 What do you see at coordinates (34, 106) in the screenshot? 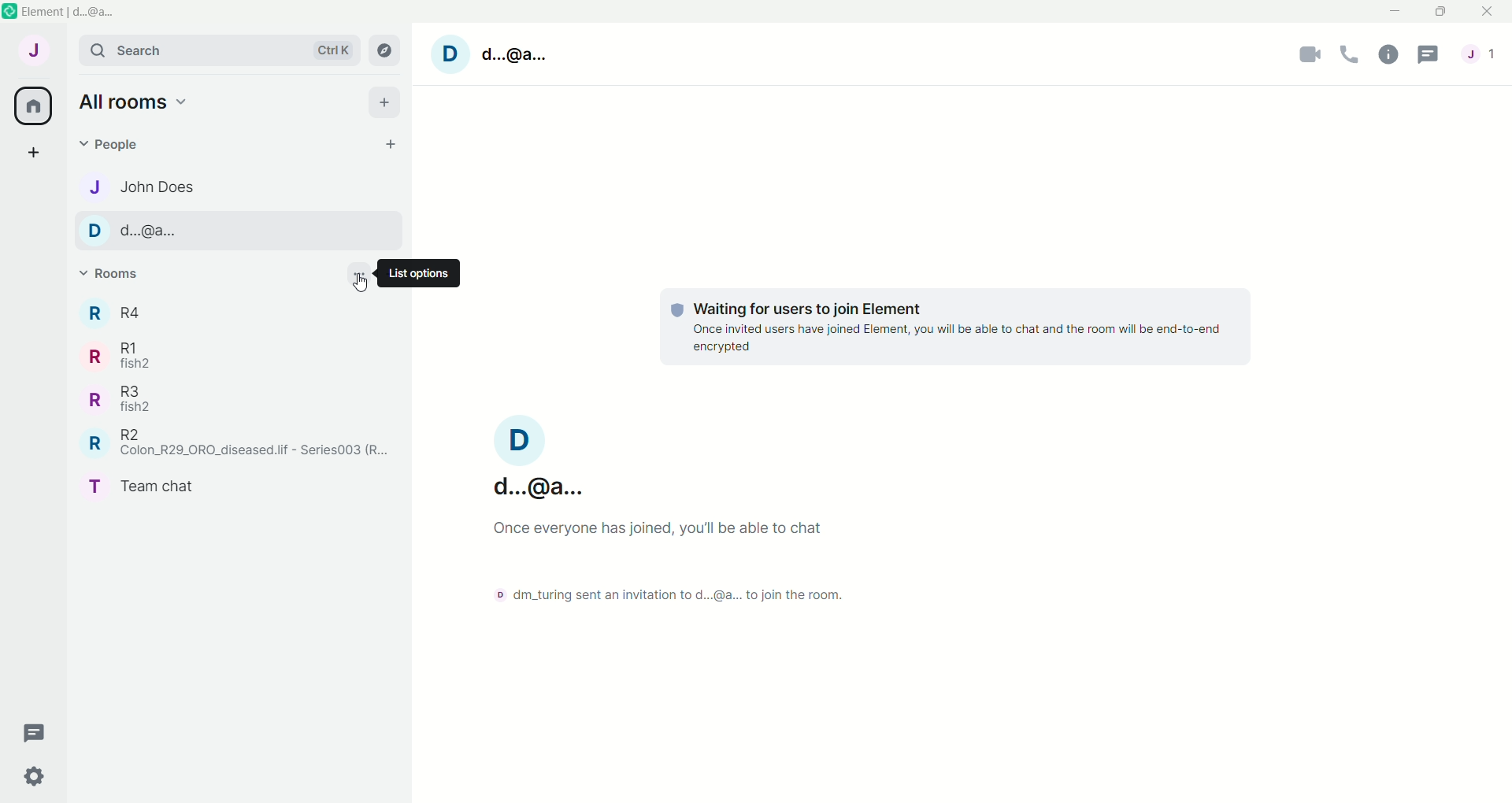
I see `All Rooms` at bounding box center [34, 106].